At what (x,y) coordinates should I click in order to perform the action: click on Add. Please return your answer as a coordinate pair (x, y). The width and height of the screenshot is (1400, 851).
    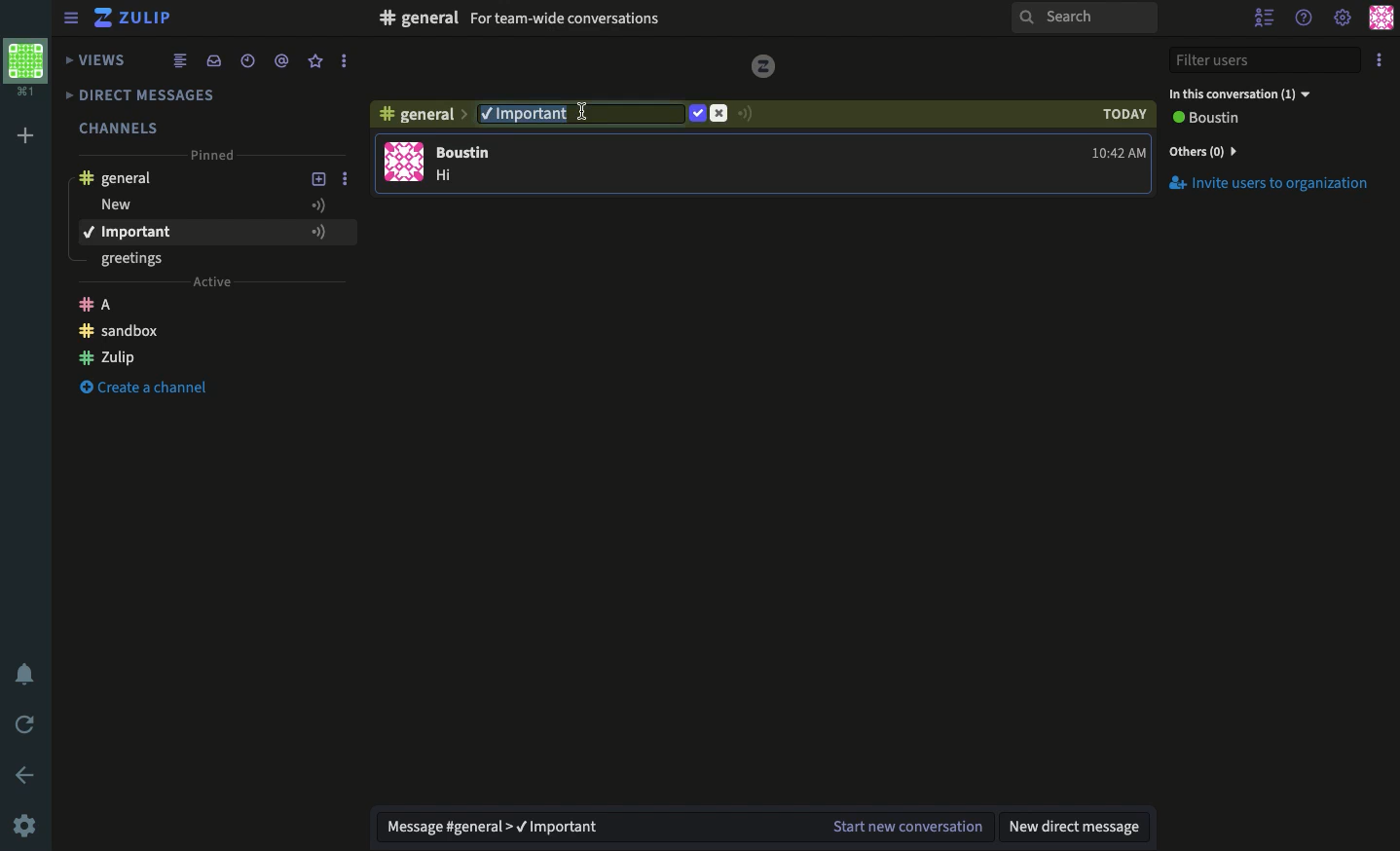
    Looking at the image, I should click on (319, 203).